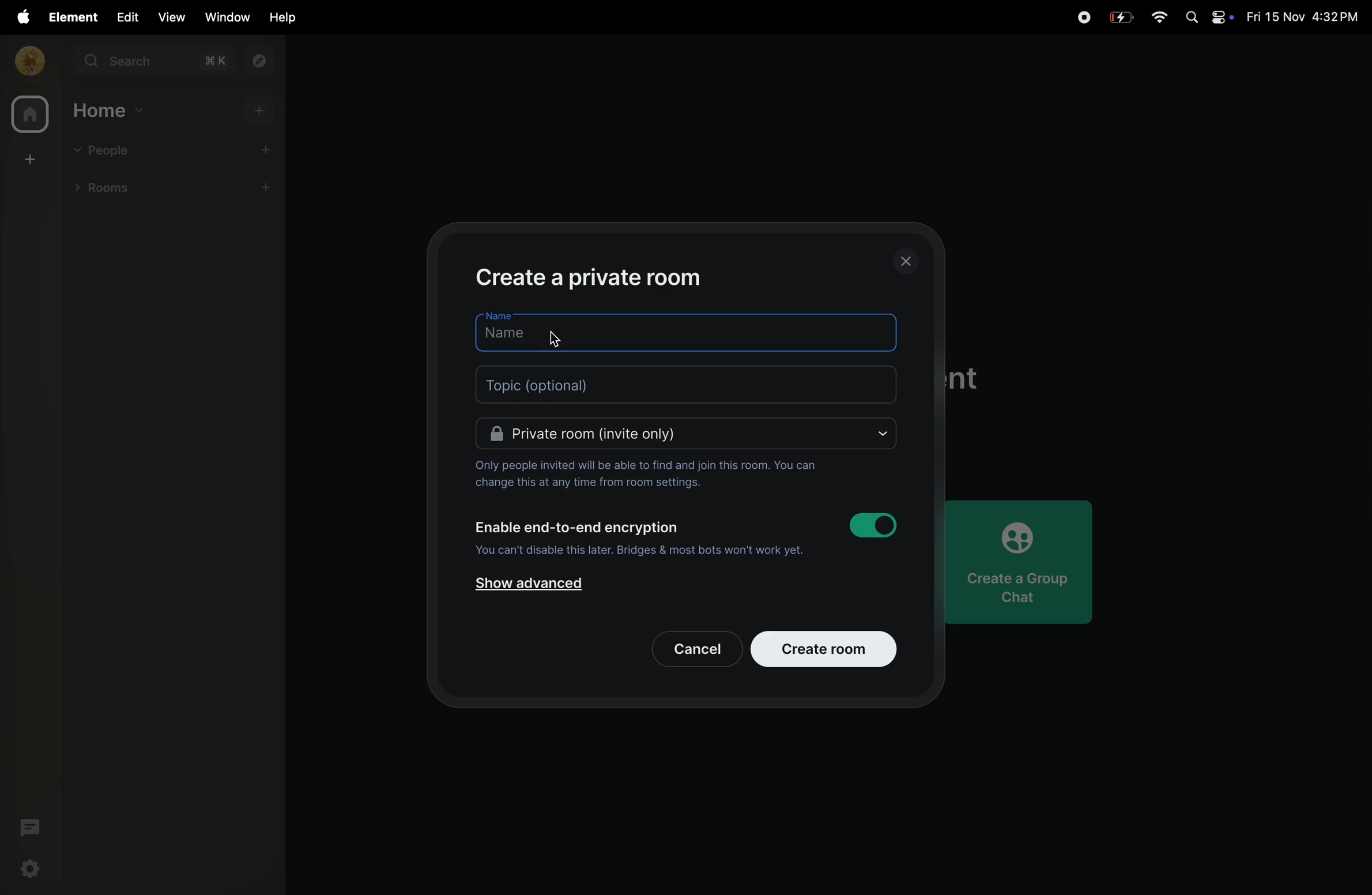 The width and height of the screenshot is (1372, 895). Describe the element at coordinates (261, 62) in the screenshot. I see `explore` at that location.